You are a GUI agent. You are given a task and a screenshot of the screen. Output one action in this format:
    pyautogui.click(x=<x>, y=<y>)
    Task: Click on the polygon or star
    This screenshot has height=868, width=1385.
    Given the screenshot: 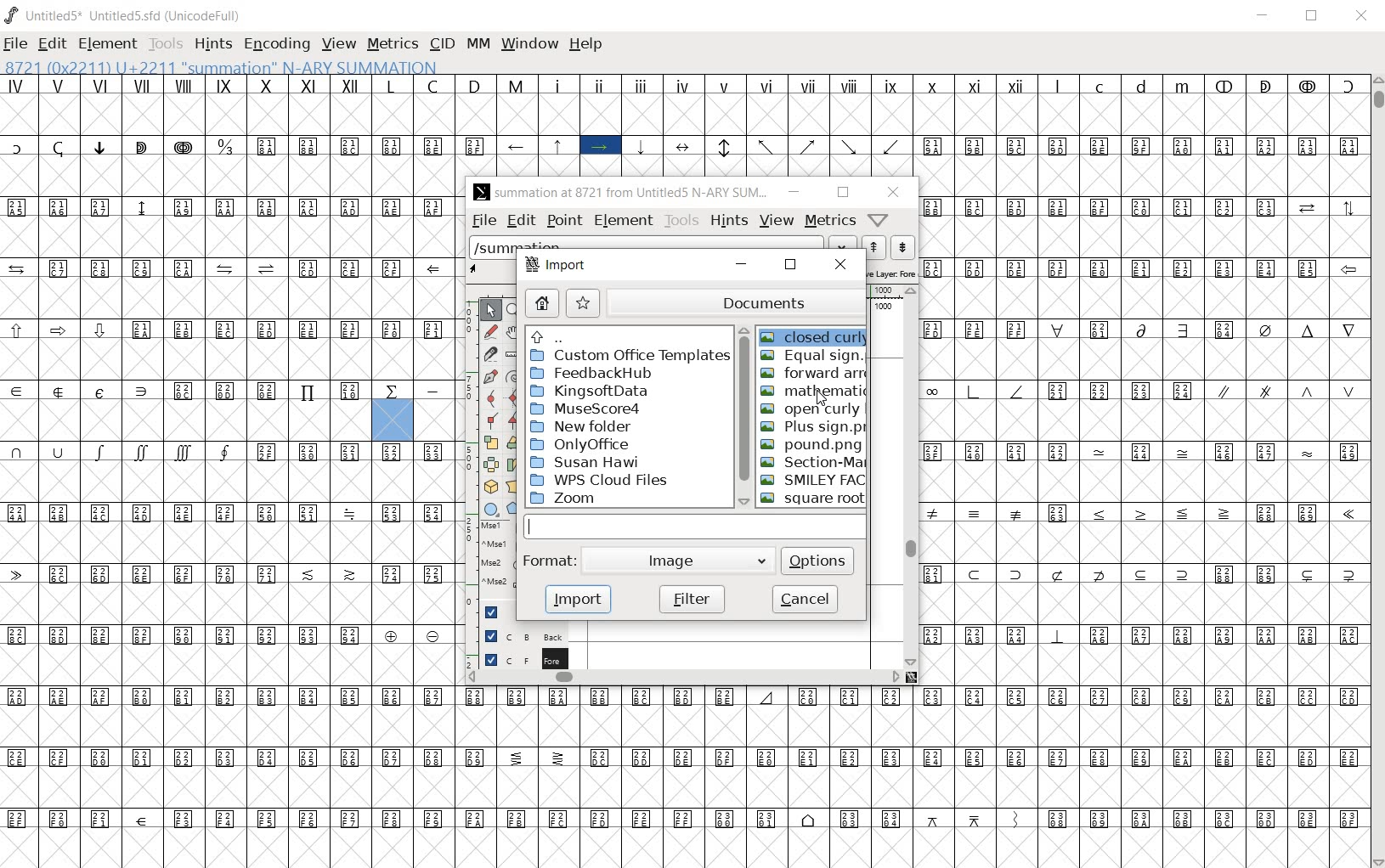 What is the action you would take?
    pyautogui.click(x=514, y=508)
    